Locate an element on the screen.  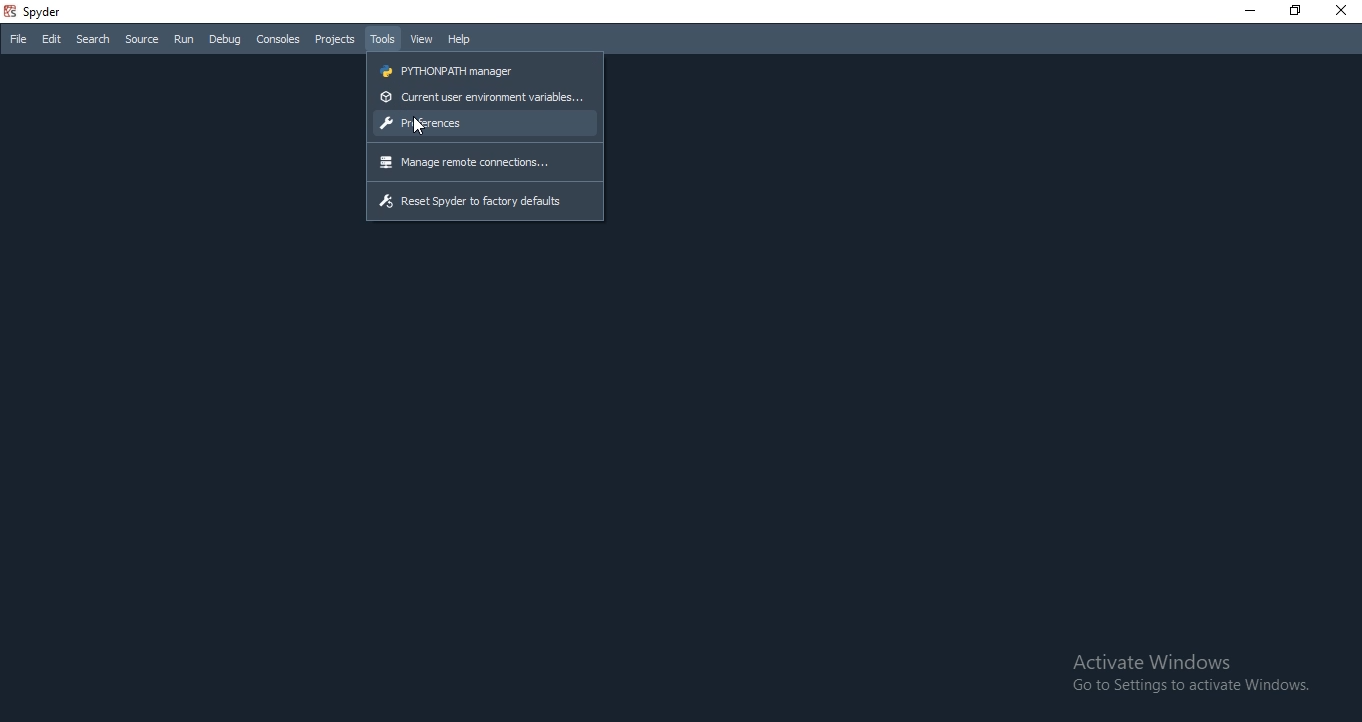
Activate Windows
Go to Settings to activate Windows. is located at coordinates (1194, 676).